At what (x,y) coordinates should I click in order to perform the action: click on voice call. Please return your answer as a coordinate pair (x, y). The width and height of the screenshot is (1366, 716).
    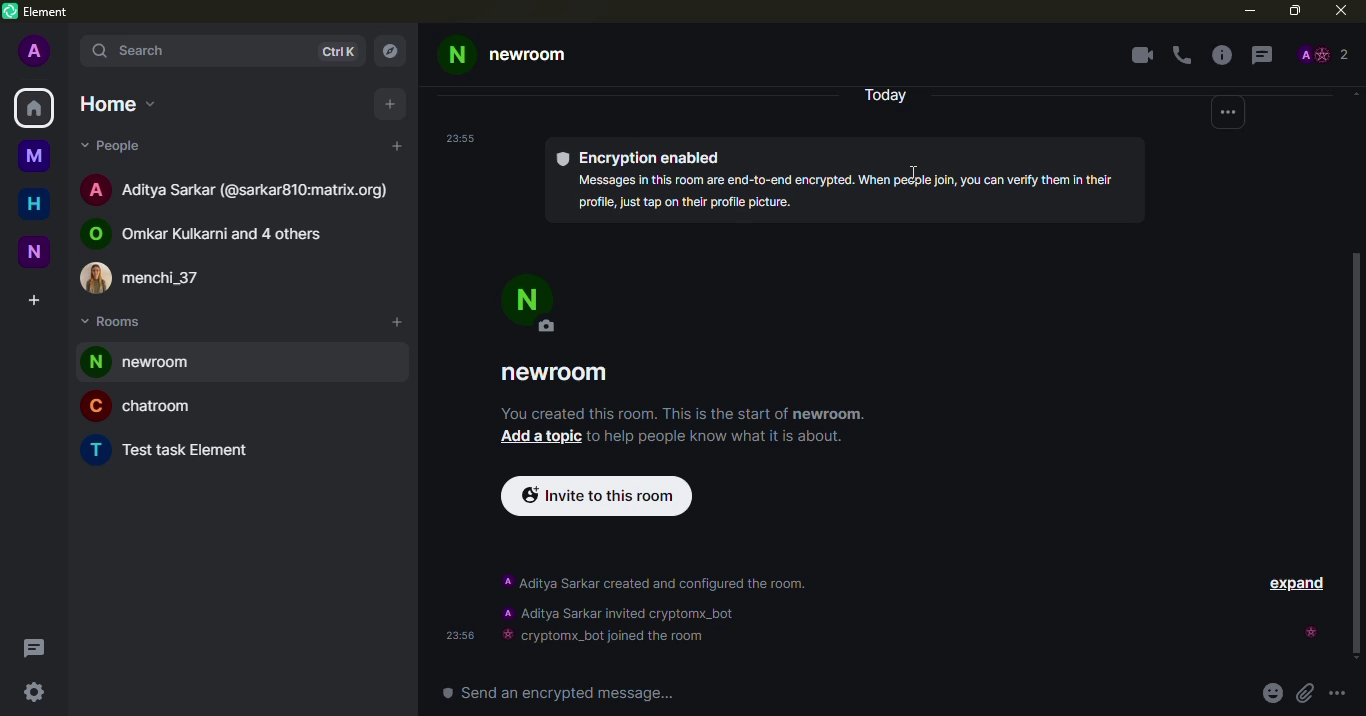
    Looking at the image, I should click on (1184, 55).